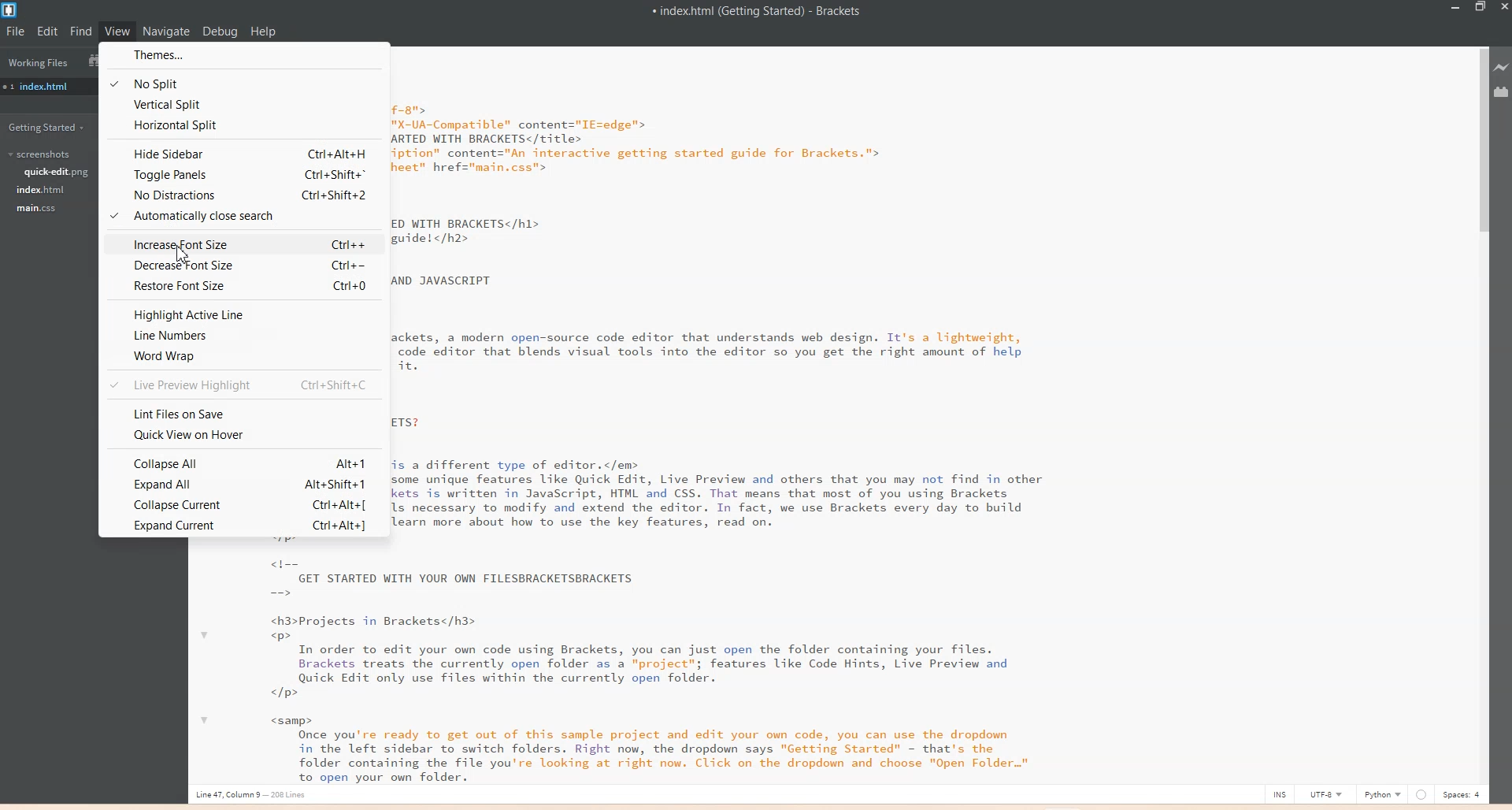 Image resolution: width=1512 pixels, height=810 pixels. I want to click on Live Preview Highlight, so click(244, 383).